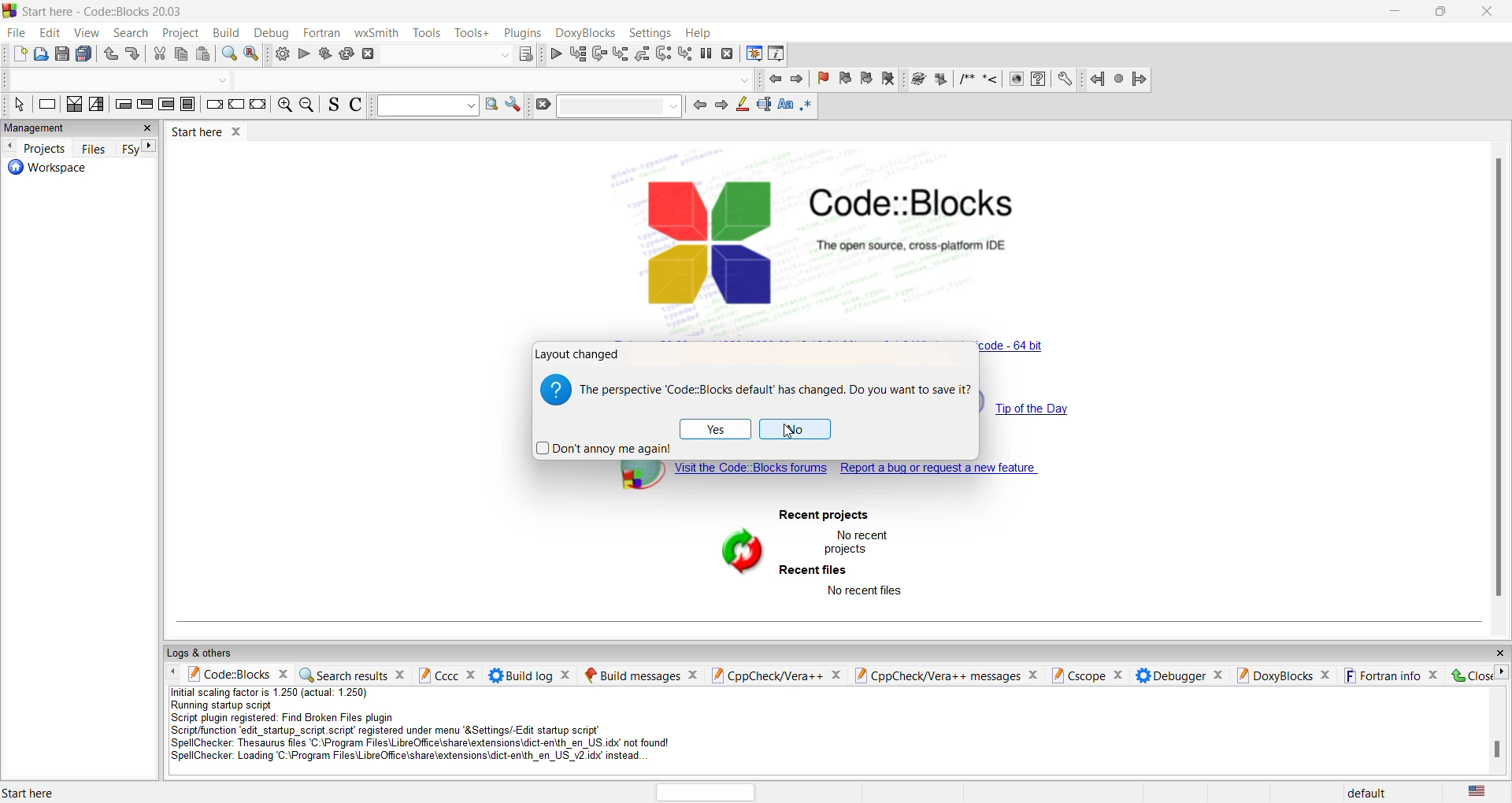 This screenshot has height=803, width=1512. Describe the element at coordinates (736, 551) in the screenshot. I see `refresh` at that location.